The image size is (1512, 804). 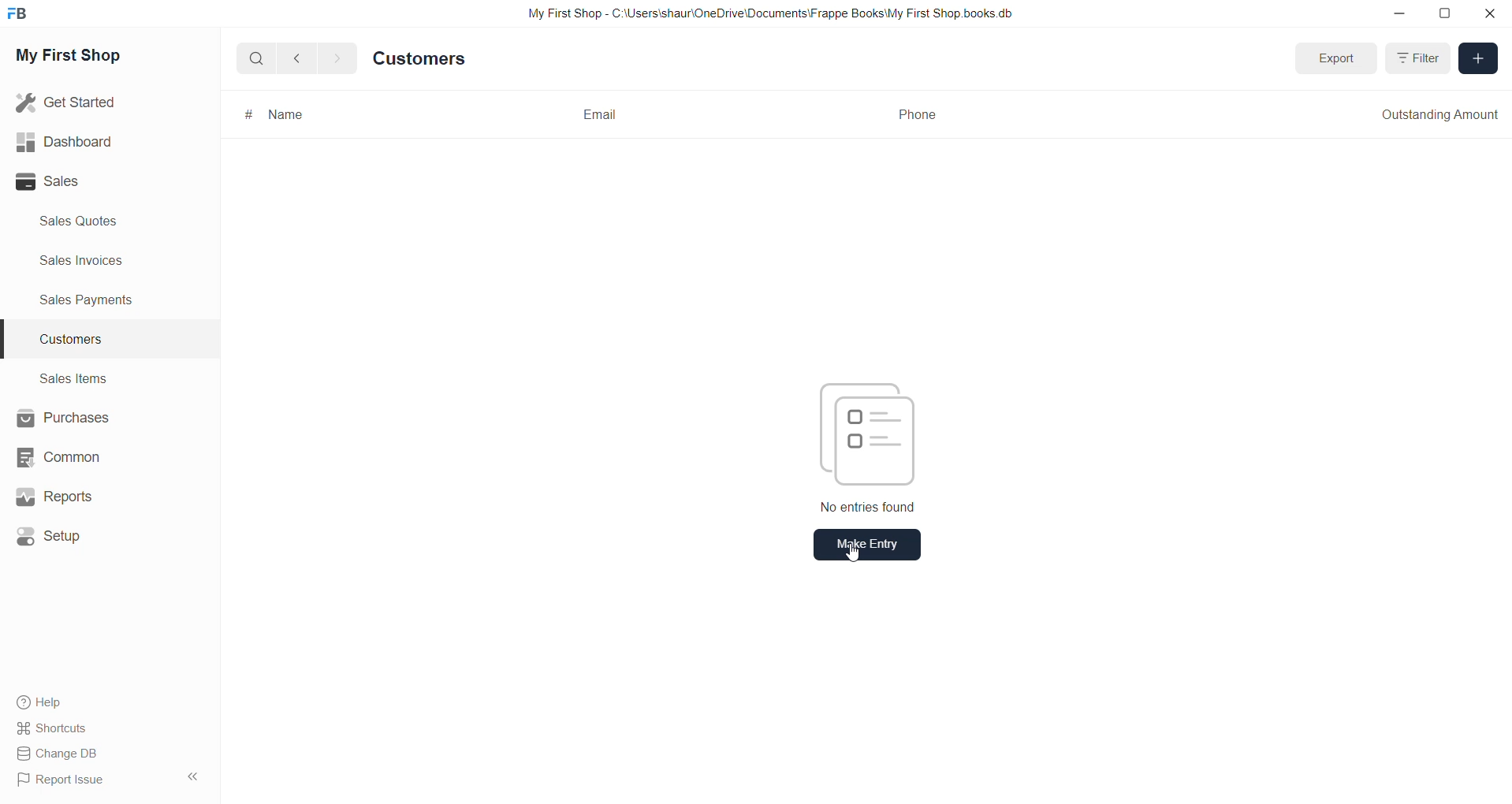 I want to click on minimize, so click(x=1406, y=20).